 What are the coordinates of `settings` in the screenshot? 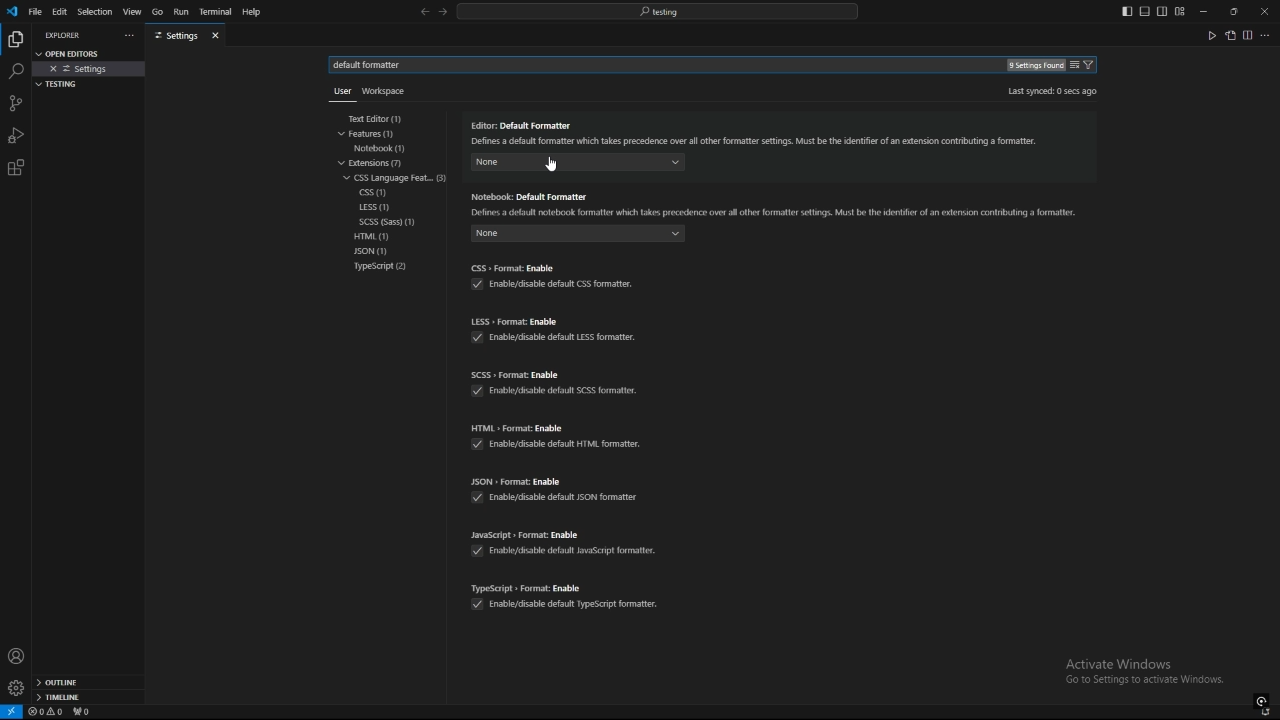 It's located at (15, 688).